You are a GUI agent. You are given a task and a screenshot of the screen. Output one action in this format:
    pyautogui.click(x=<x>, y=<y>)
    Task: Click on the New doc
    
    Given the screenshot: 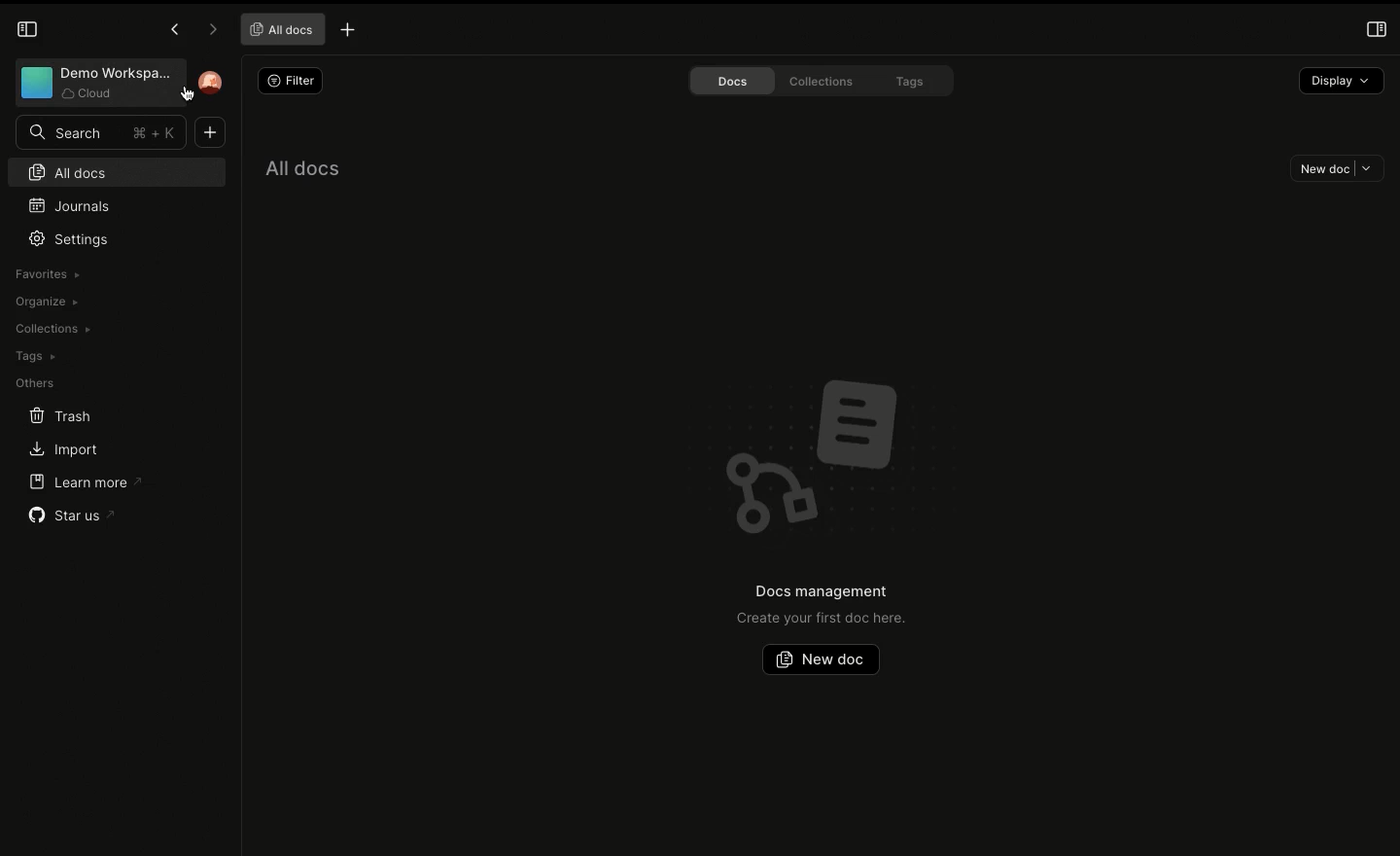 What is the action you would take?
    pyautogui.click(x=1338, y=168)
    